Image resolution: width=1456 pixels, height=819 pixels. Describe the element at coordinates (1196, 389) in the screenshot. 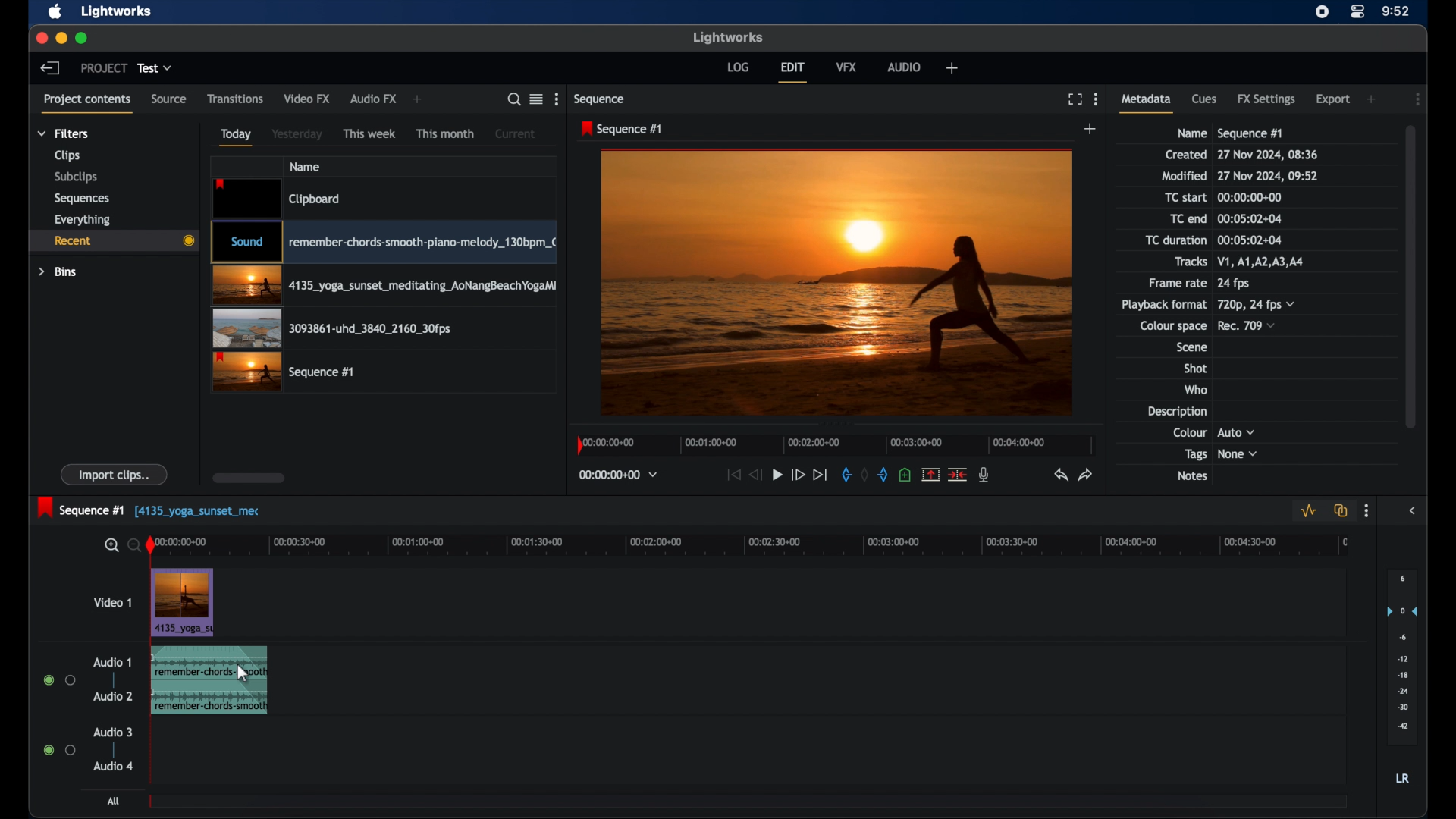

I see `who` at that location.